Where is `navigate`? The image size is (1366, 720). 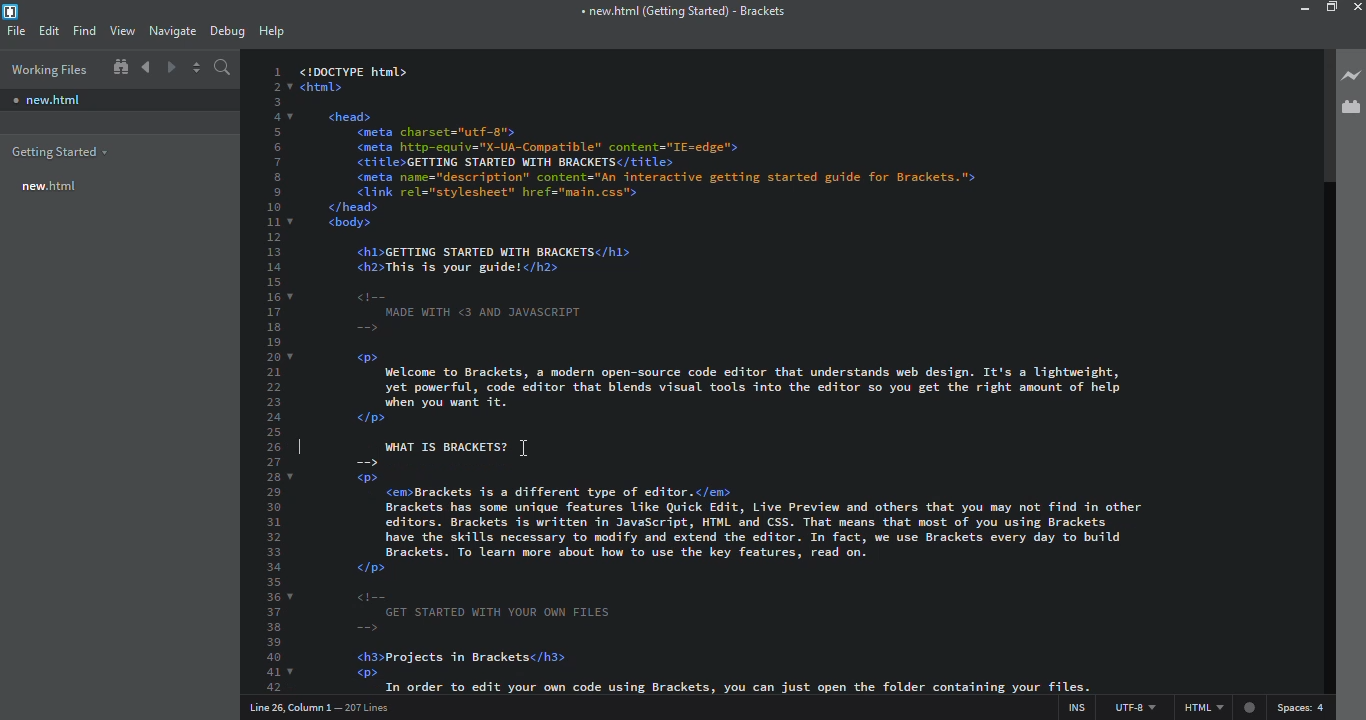 navigate is located at coordinates (171, 31).